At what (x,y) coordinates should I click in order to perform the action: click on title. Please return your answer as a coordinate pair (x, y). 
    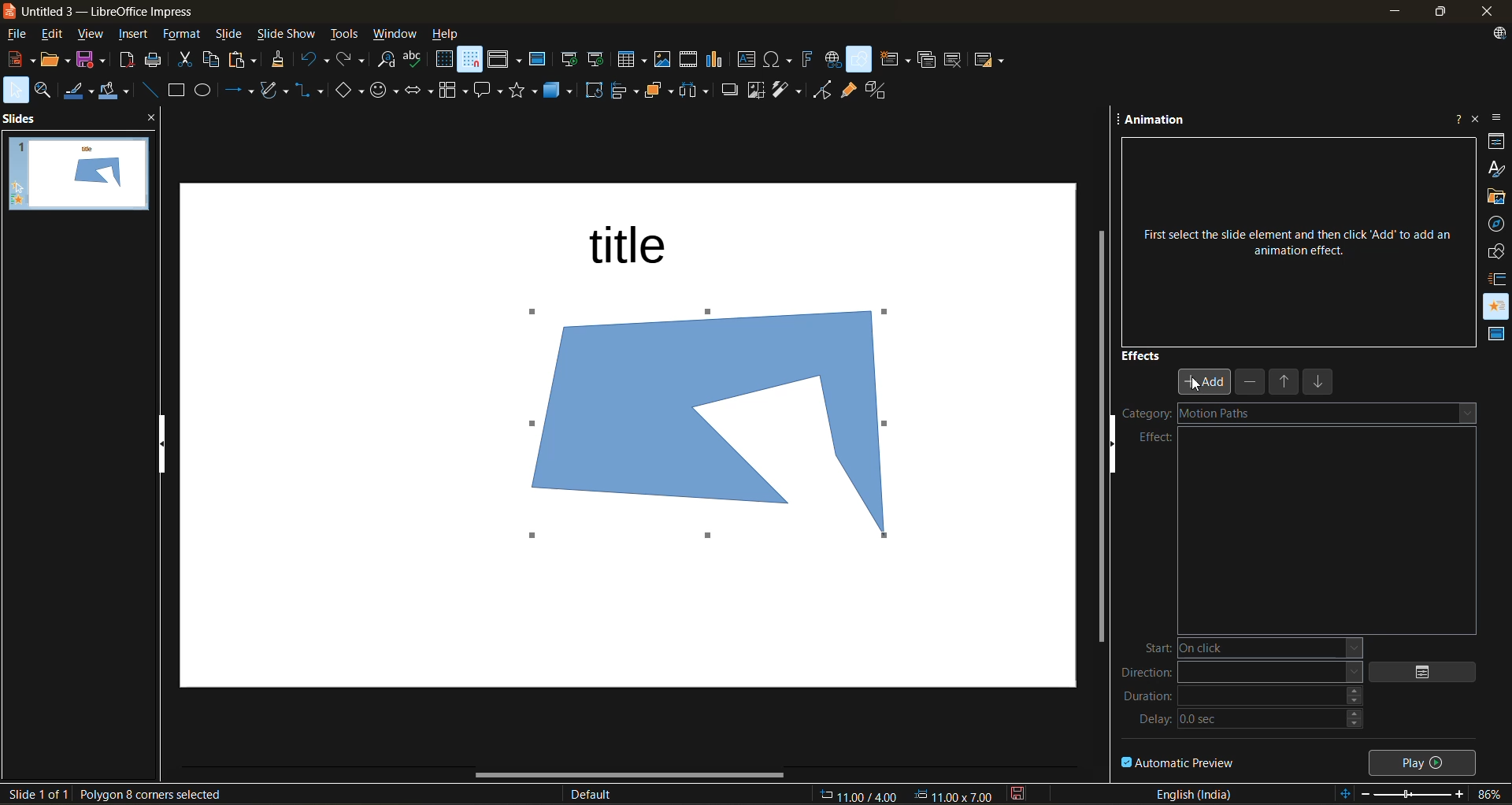
    Looking at the image, I should click on (632, 244).